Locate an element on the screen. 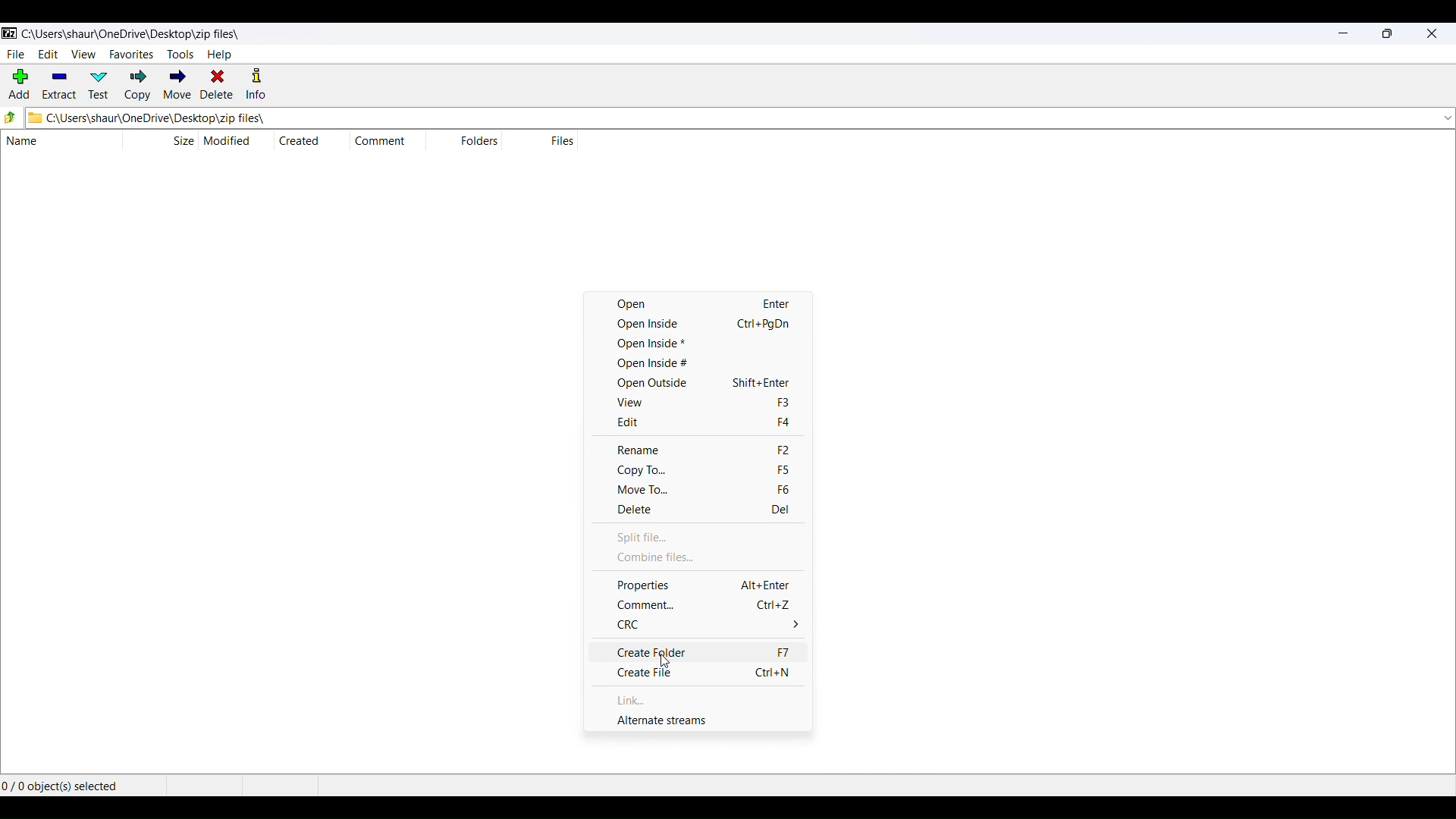  TOOLS is located at coordinates (180, 55).